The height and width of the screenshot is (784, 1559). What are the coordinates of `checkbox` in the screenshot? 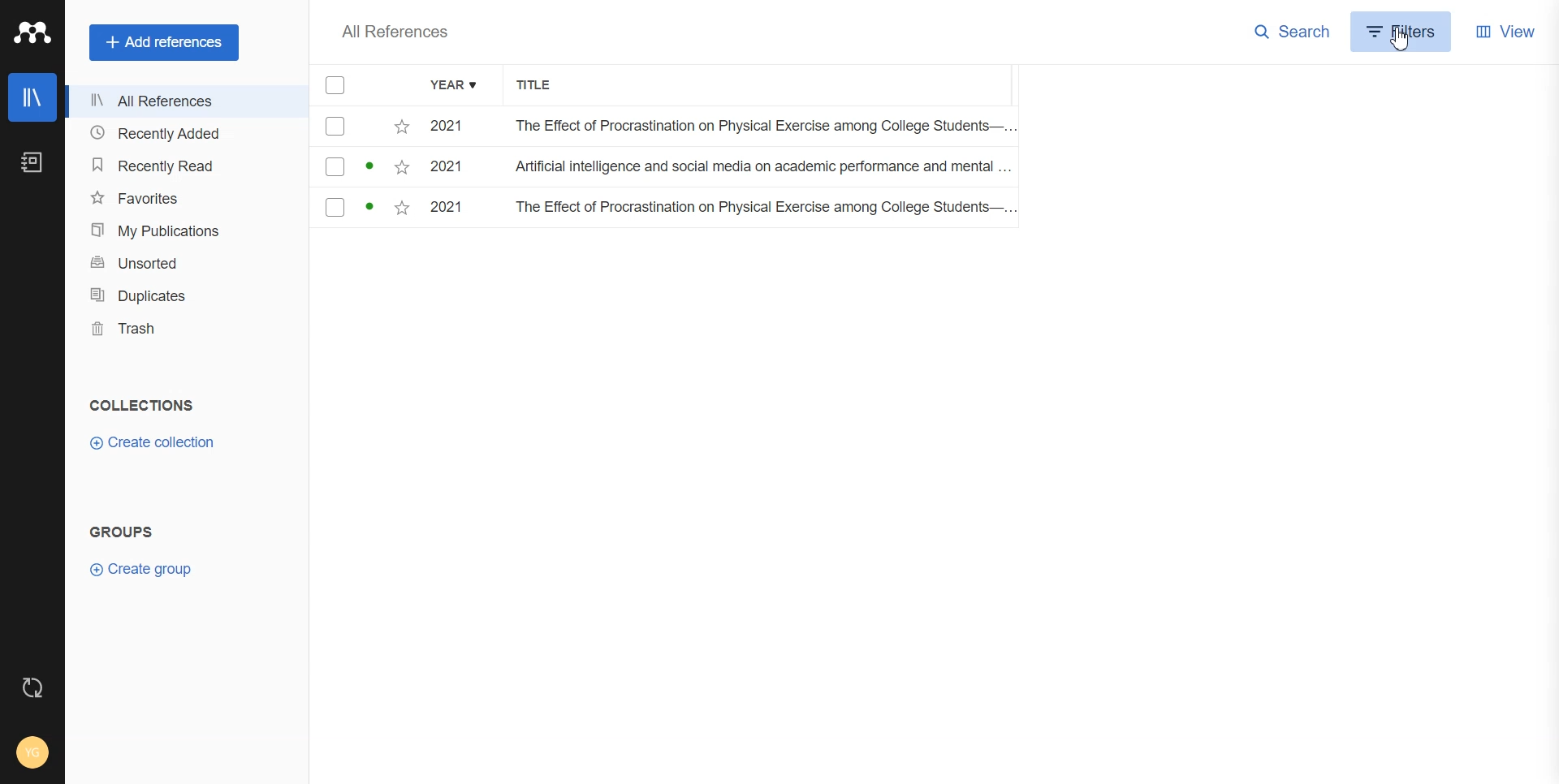 It's located at (363, 127).